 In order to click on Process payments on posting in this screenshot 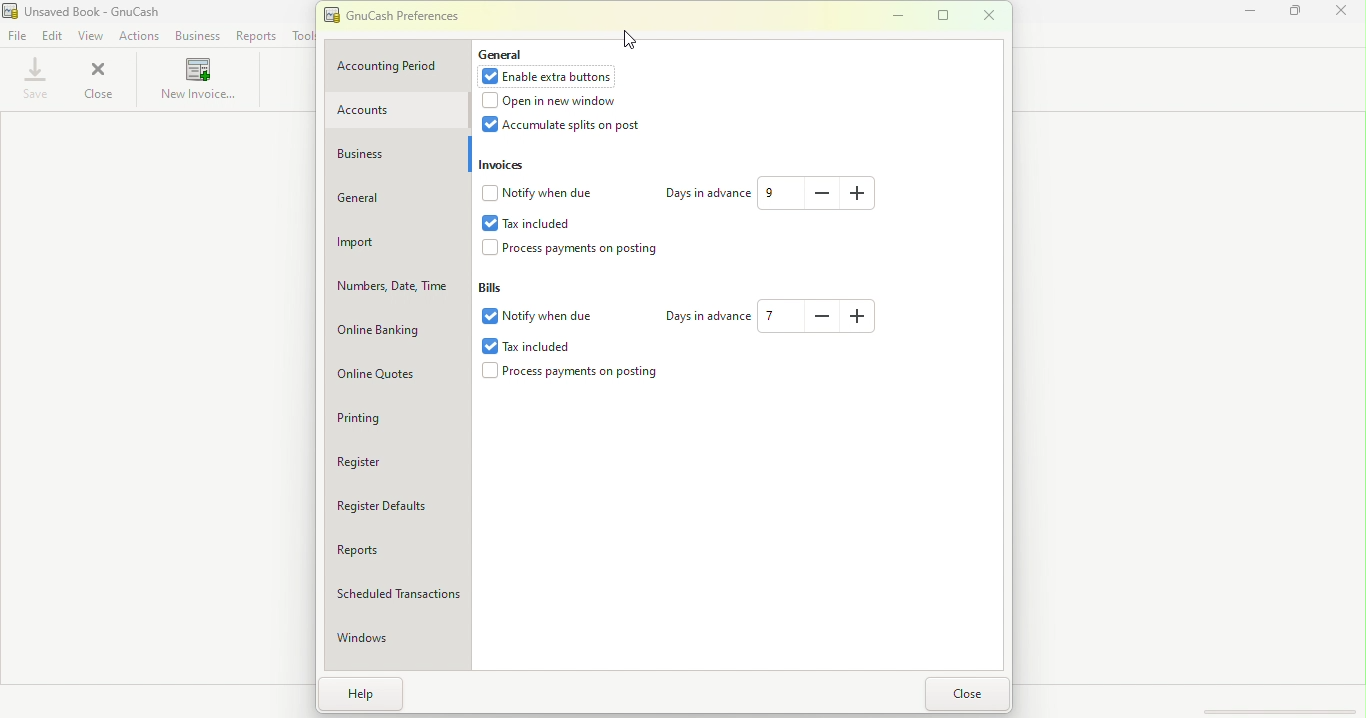, I will do `click(580, 379)`.